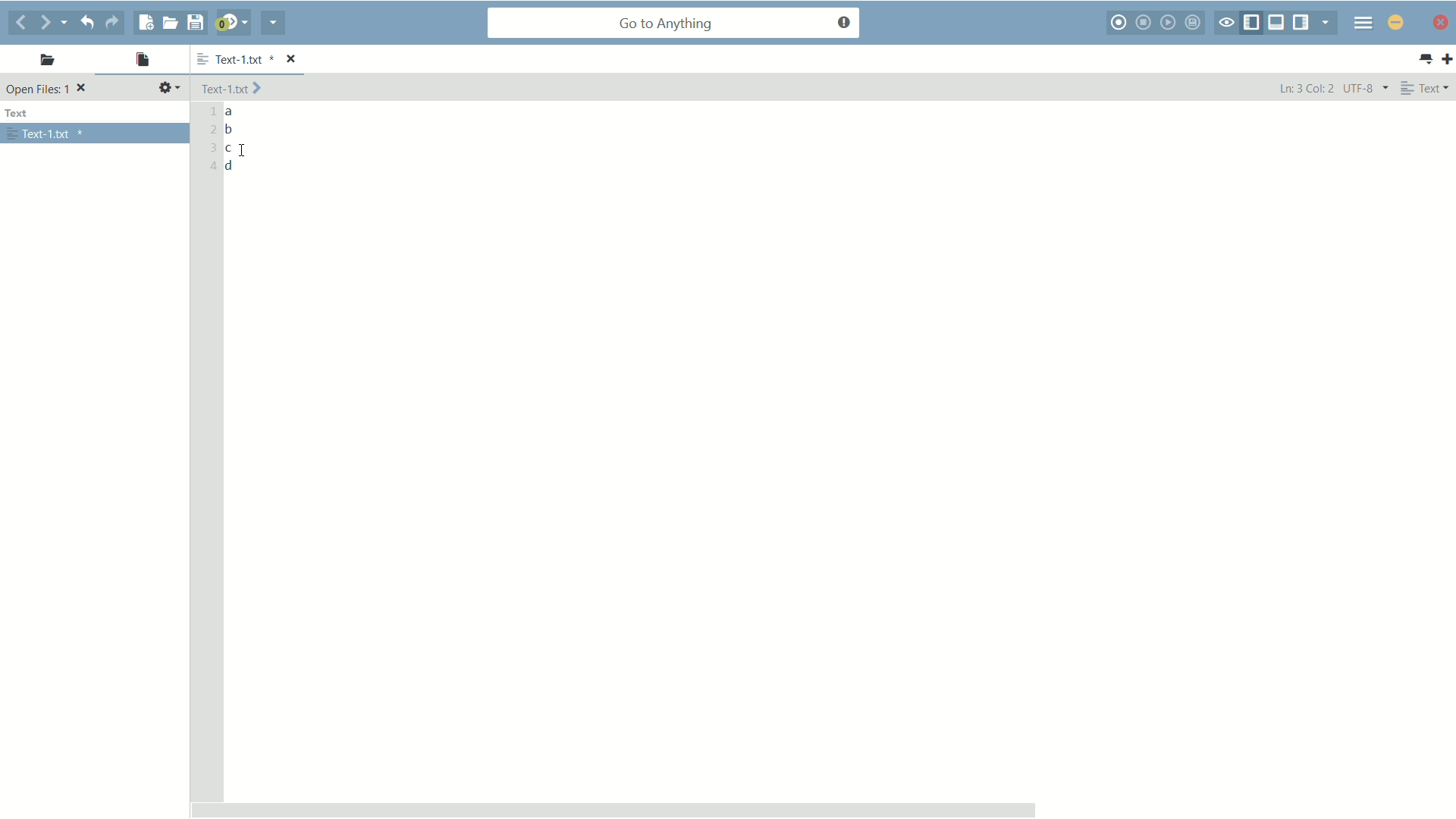 This screenshot has height=819, width=1456. Describe the element at coordinates (1427, 88) in the screenshot. I see `Text` at that location.